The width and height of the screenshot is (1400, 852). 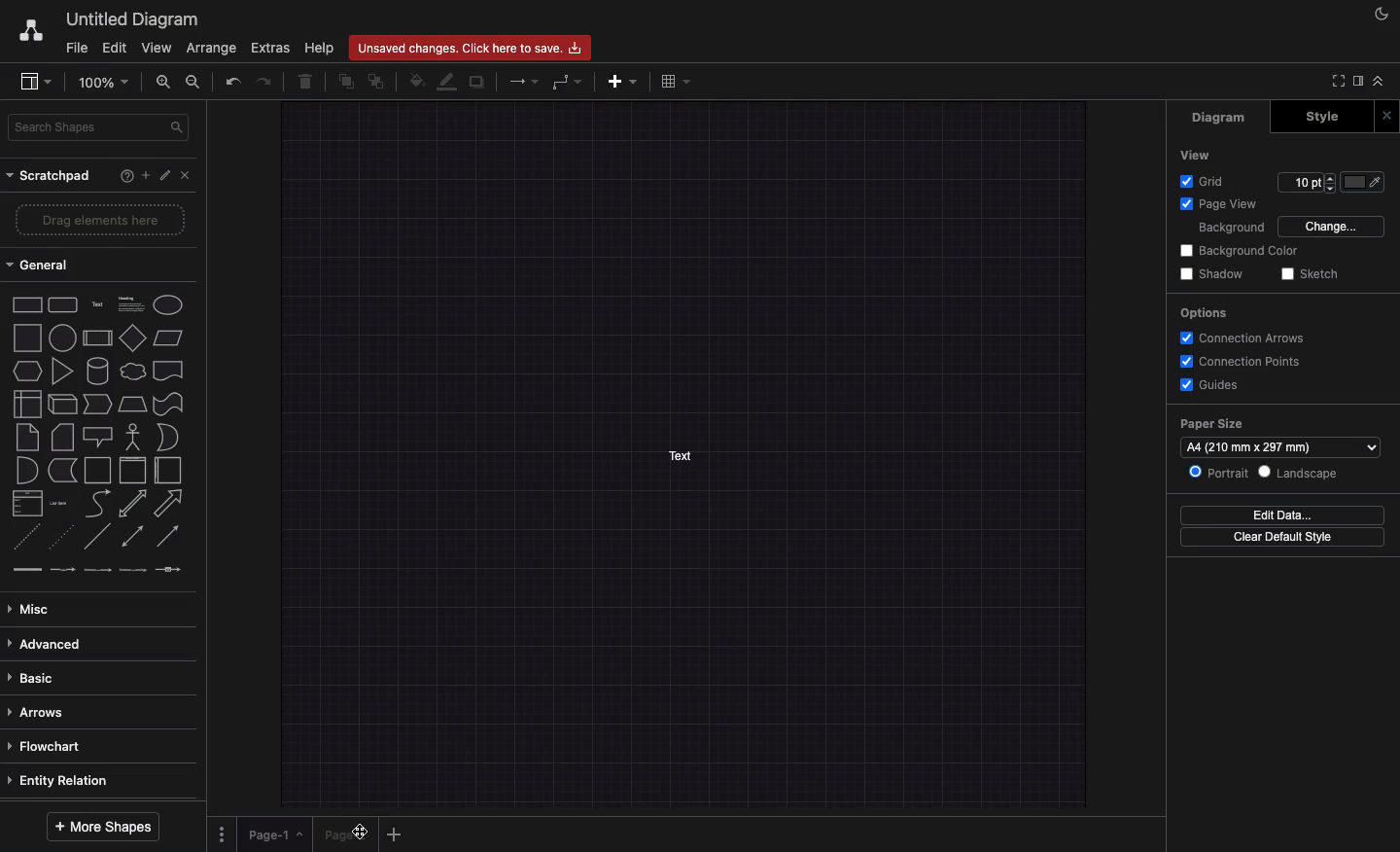 I want to click on Zoom, so click(x=109, y=83).